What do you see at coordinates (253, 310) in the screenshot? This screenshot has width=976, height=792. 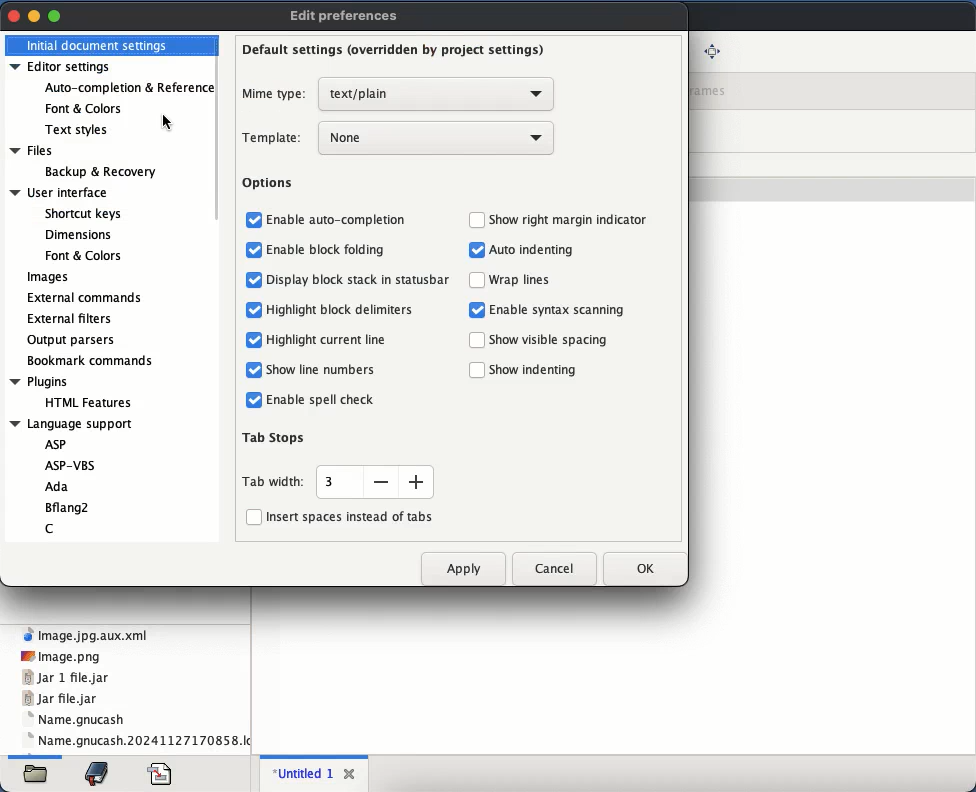 I see `checkbox` at bounding box center [253, 310].